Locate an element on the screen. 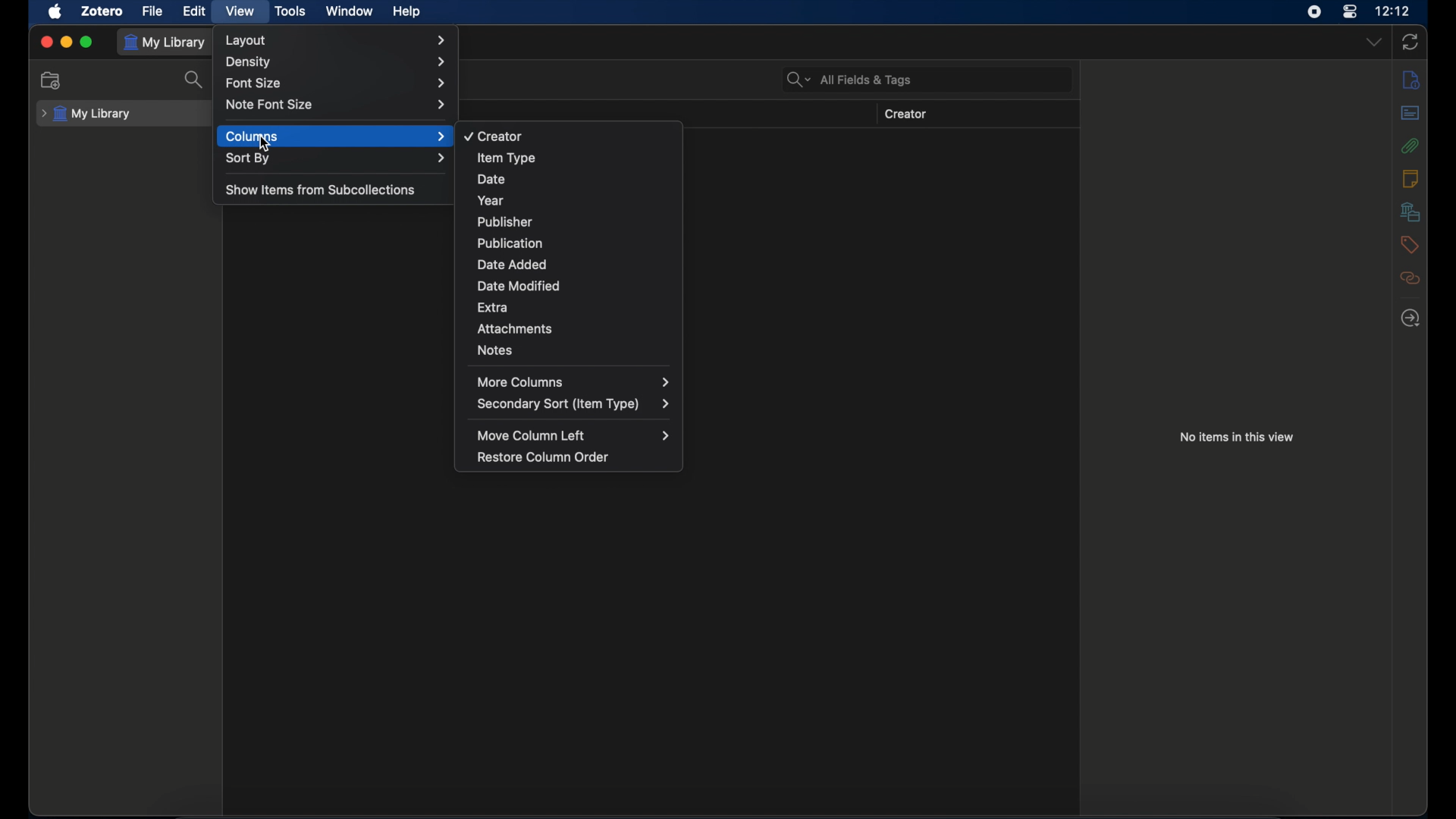 The height and width of the screenshot is (819, 1456). search is located at coordinates (194, 80).